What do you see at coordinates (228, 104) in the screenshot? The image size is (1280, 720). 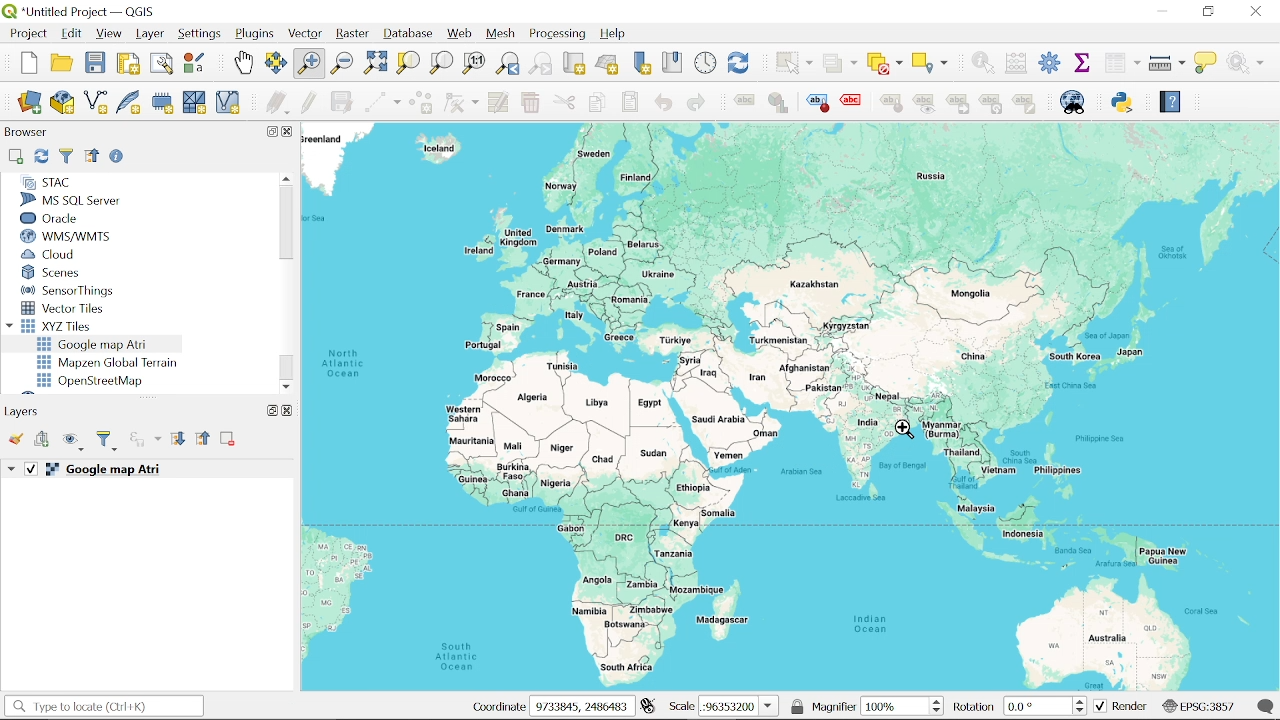 I see `New virtual layer` at bounding box center [228, 104].